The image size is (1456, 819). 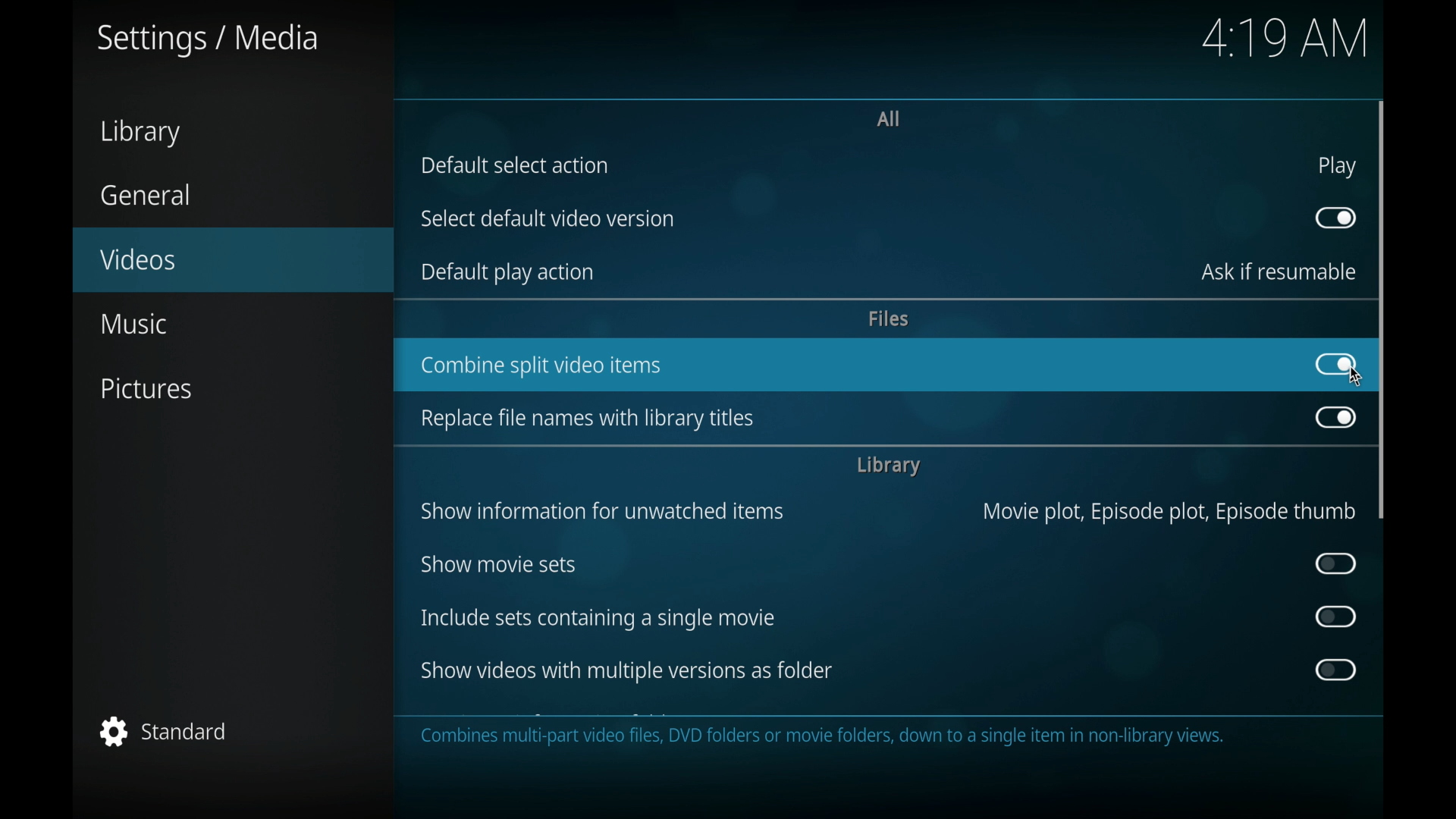 What do you see at coordinates (602, 512) in the screenshot?
I see `show information` at bounding box center [602, 512].